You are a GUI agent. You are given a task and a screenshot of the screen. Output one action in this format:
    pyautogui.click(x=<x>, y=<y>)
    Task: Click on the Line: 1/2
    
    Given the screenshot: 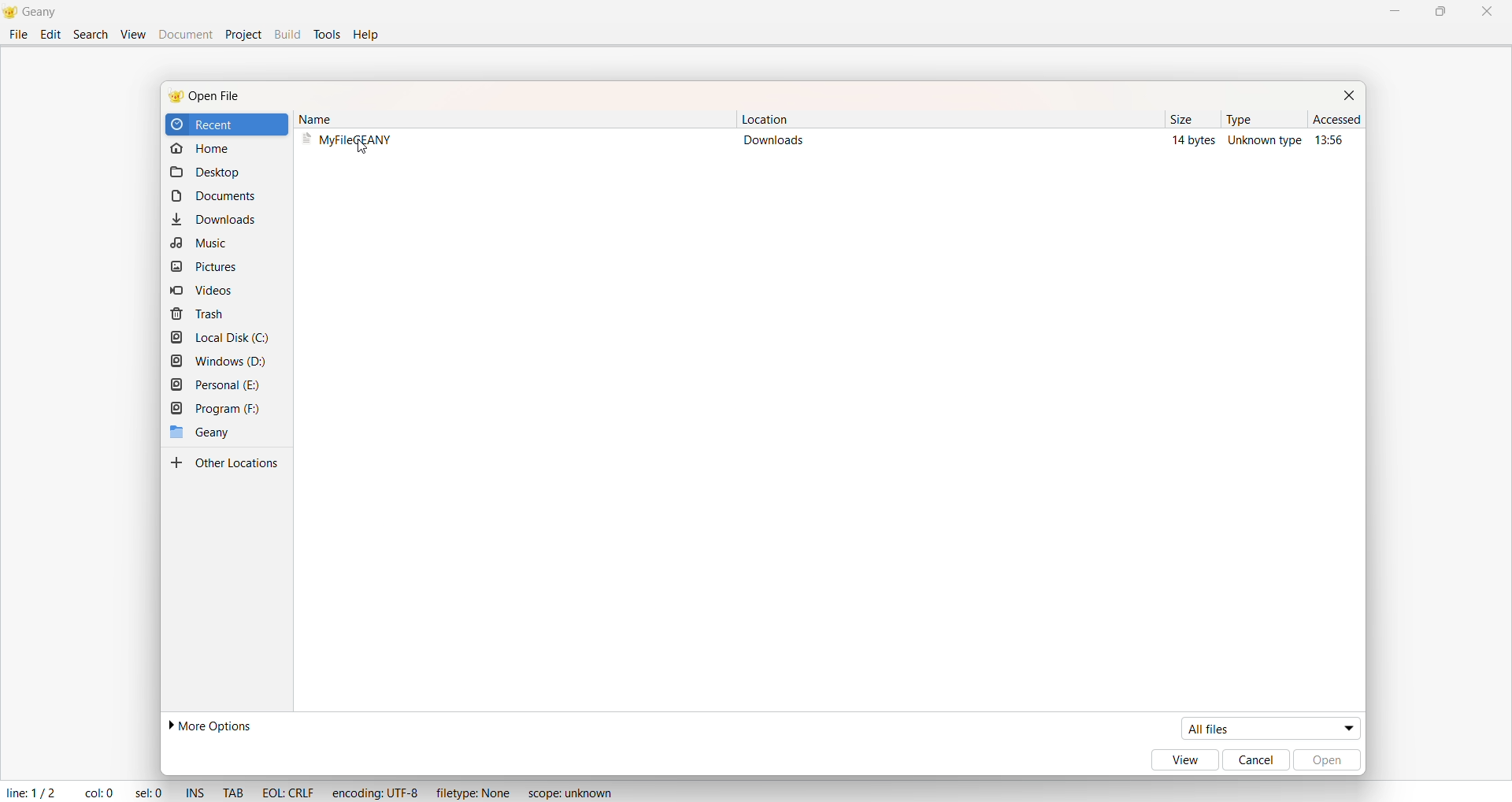 What is the action you would take?
    pyautogui.click(x=31, y=793)
    